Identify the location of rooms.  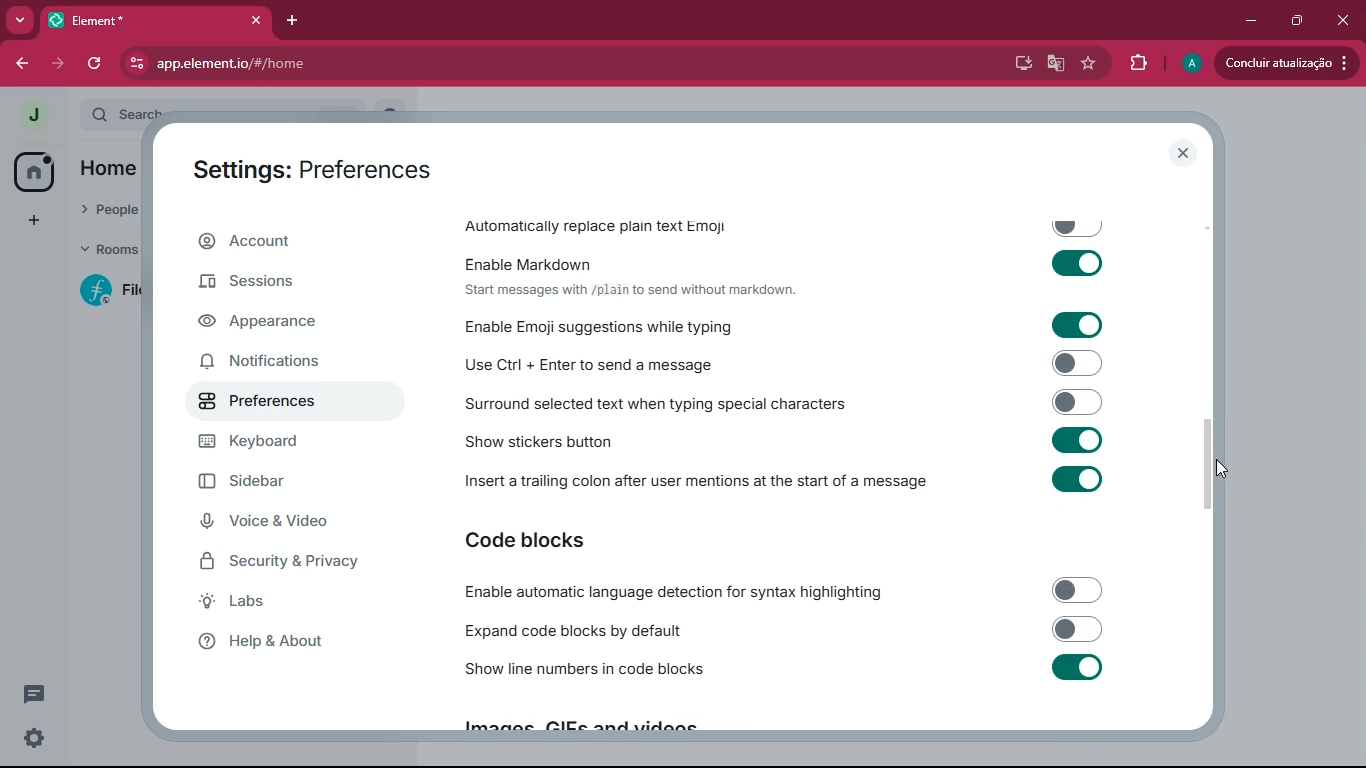
(103, 252).